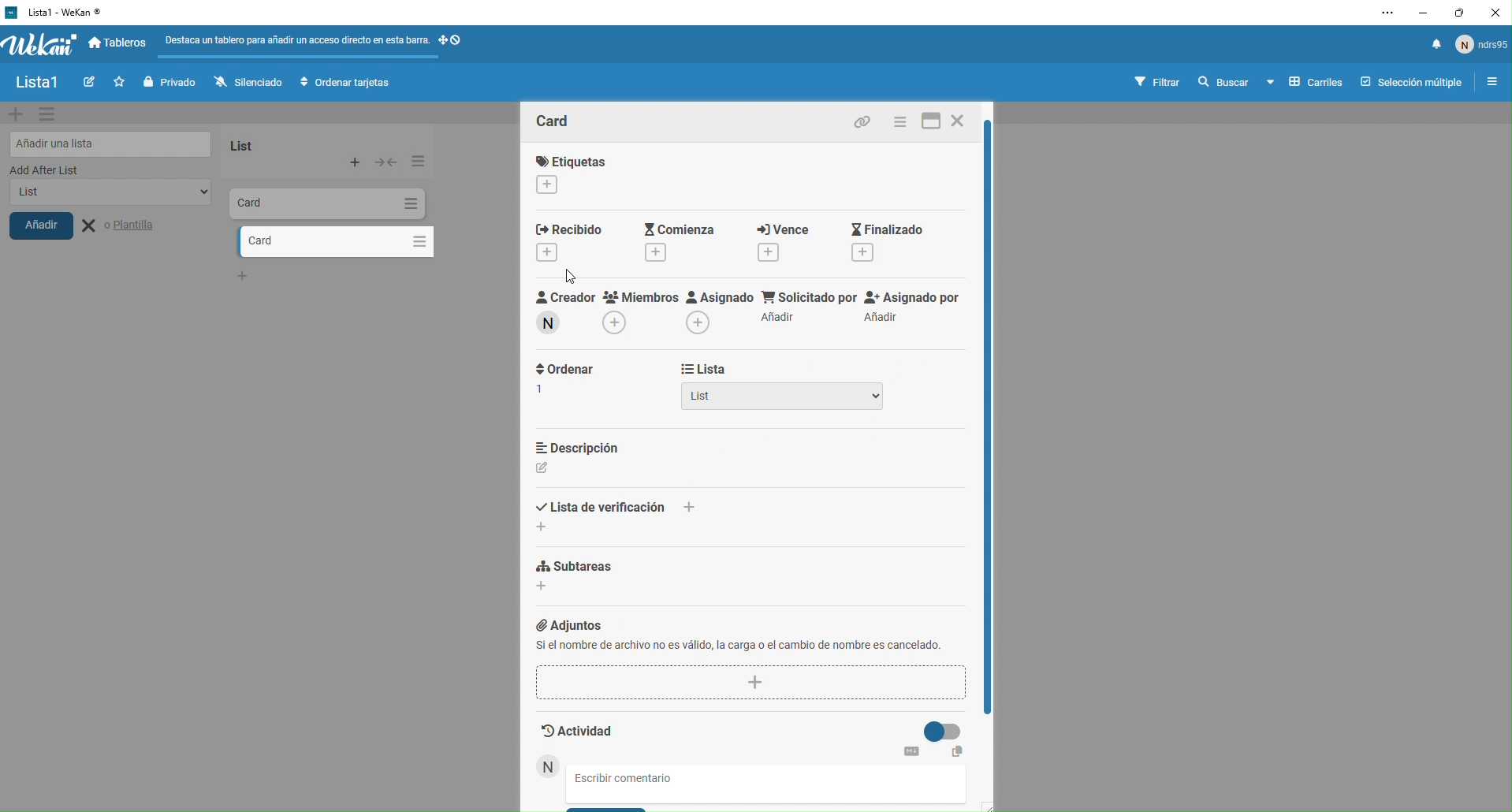  Describe the element at coordinates (416, 161) in the screenshot. I see `Options` at that location.